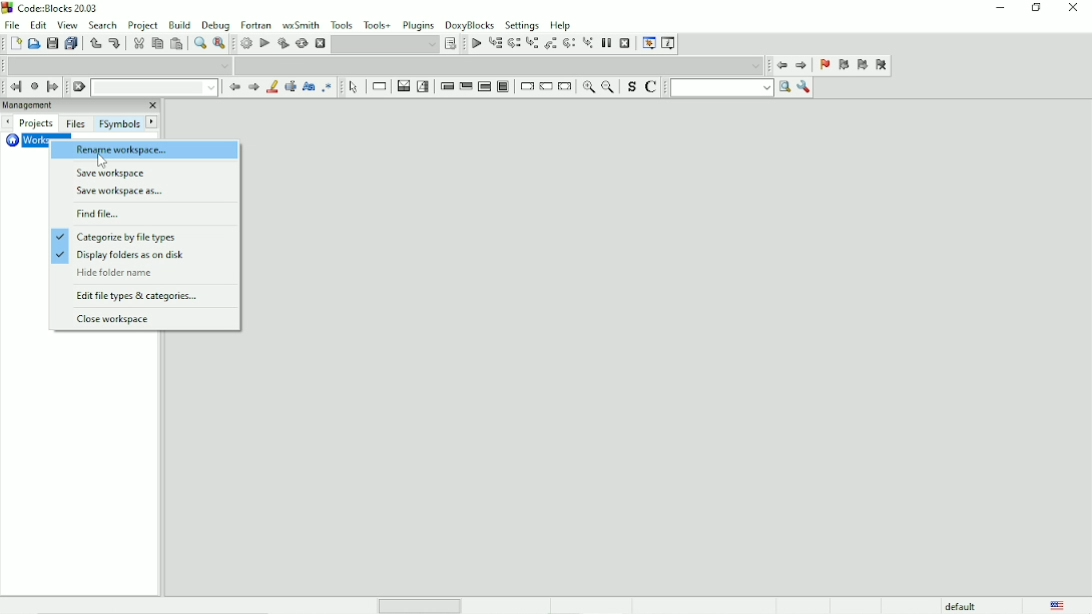  I want to click on Help, so click(560, 24).